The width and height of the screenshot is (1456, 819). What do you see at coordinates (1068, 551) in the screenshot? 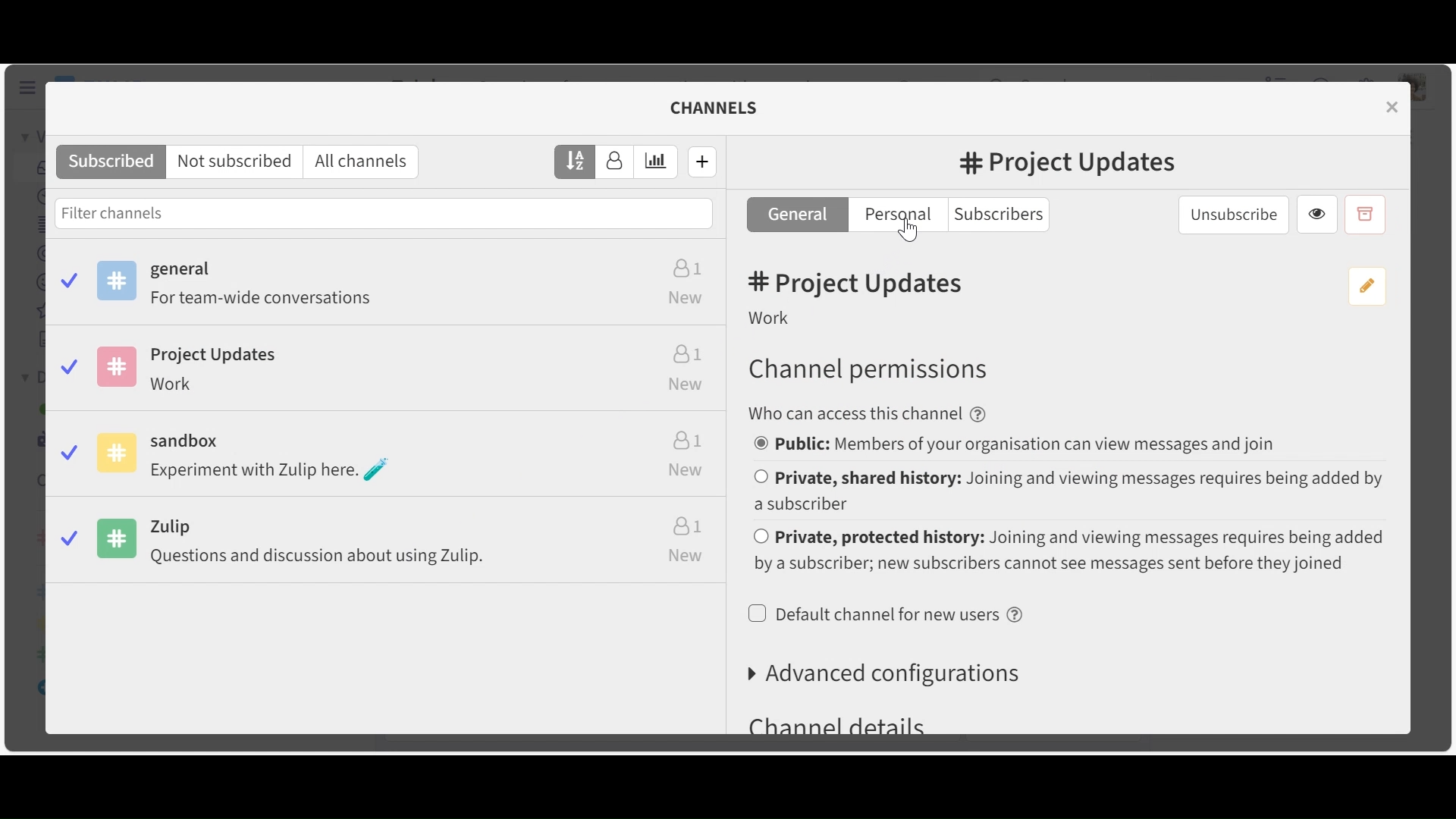
I see `(un)select Private, protected History` at bounding box center [1068, 551].